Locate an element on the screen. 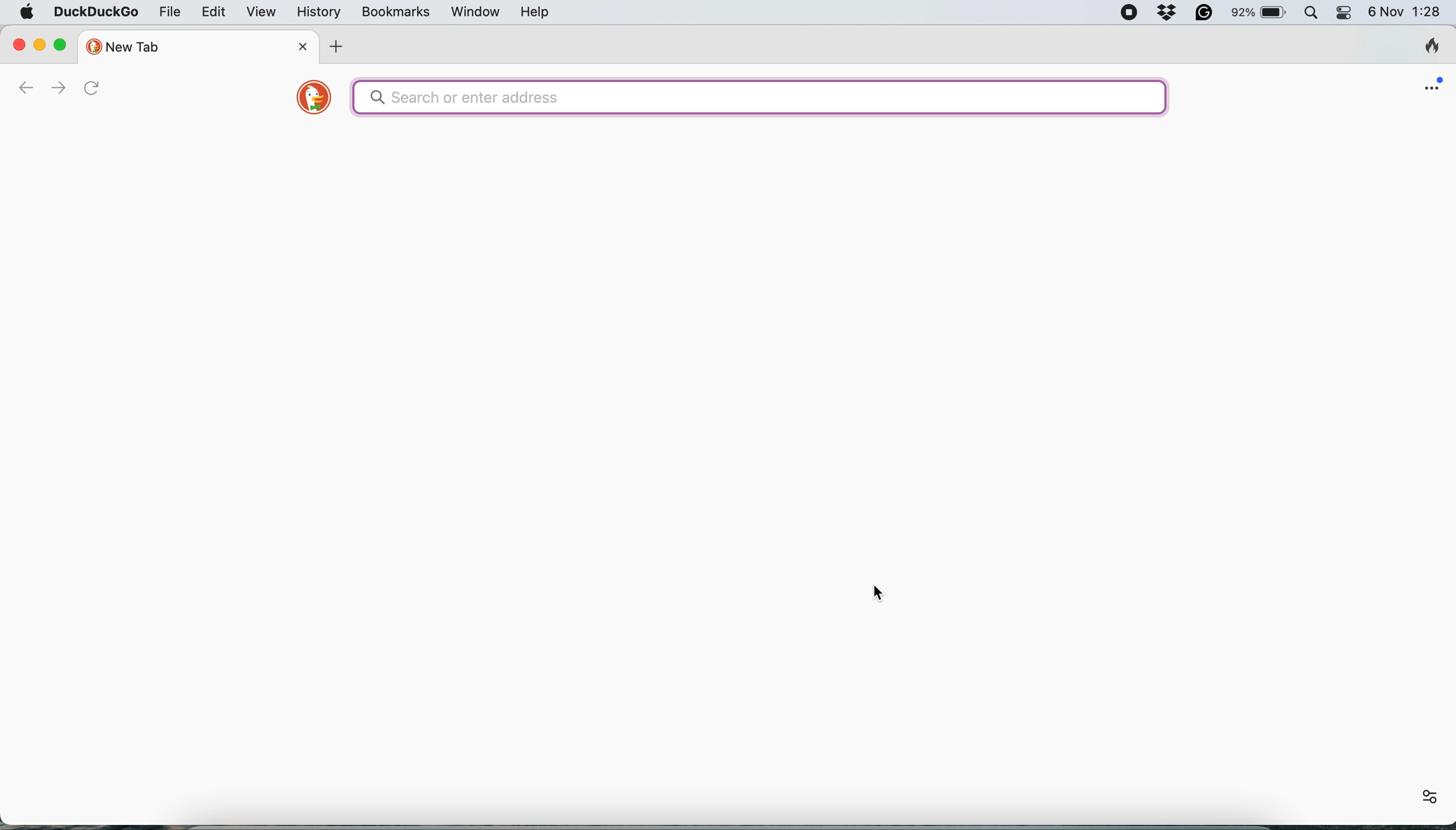 The image size is (1456, 830). refresh is located at coordinates (104, 91).